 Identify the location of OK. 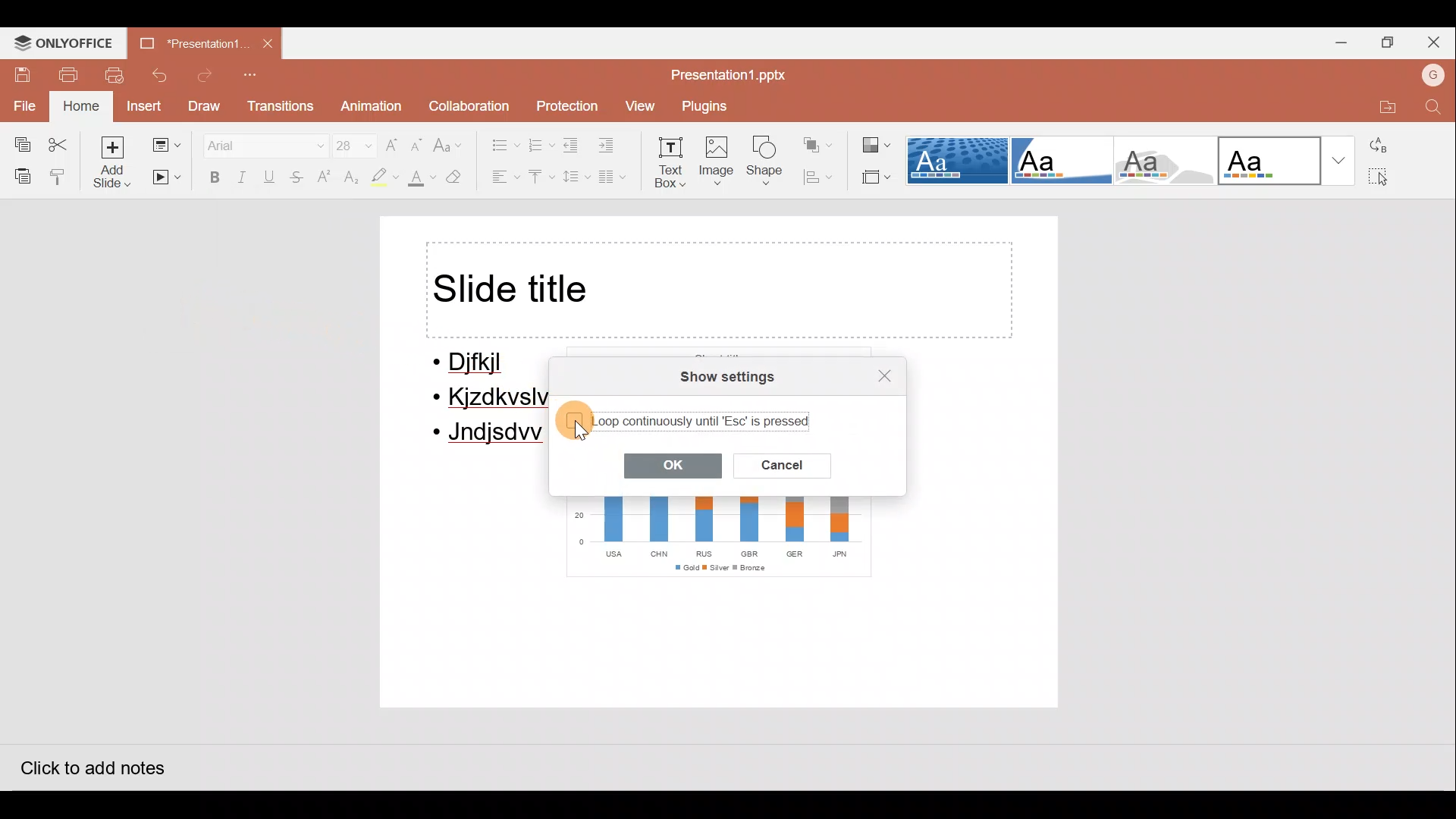
(674, 468).